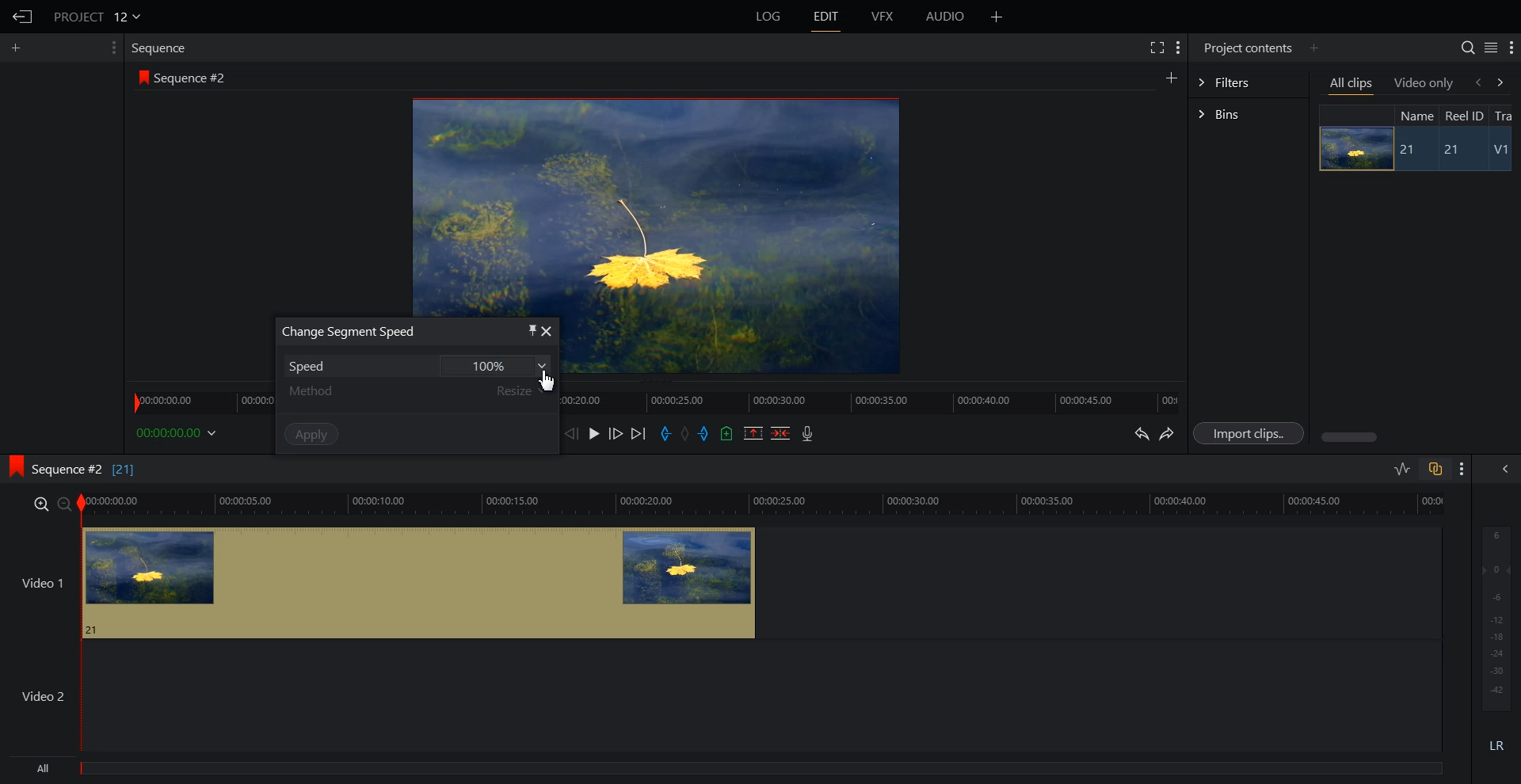 Image resolution: width=1521 pixels, height=784 pixels. What do you see at coordinates (179, 432) in the screenshot?
I see `00:00:00.00` at bounding box center [179, 432].